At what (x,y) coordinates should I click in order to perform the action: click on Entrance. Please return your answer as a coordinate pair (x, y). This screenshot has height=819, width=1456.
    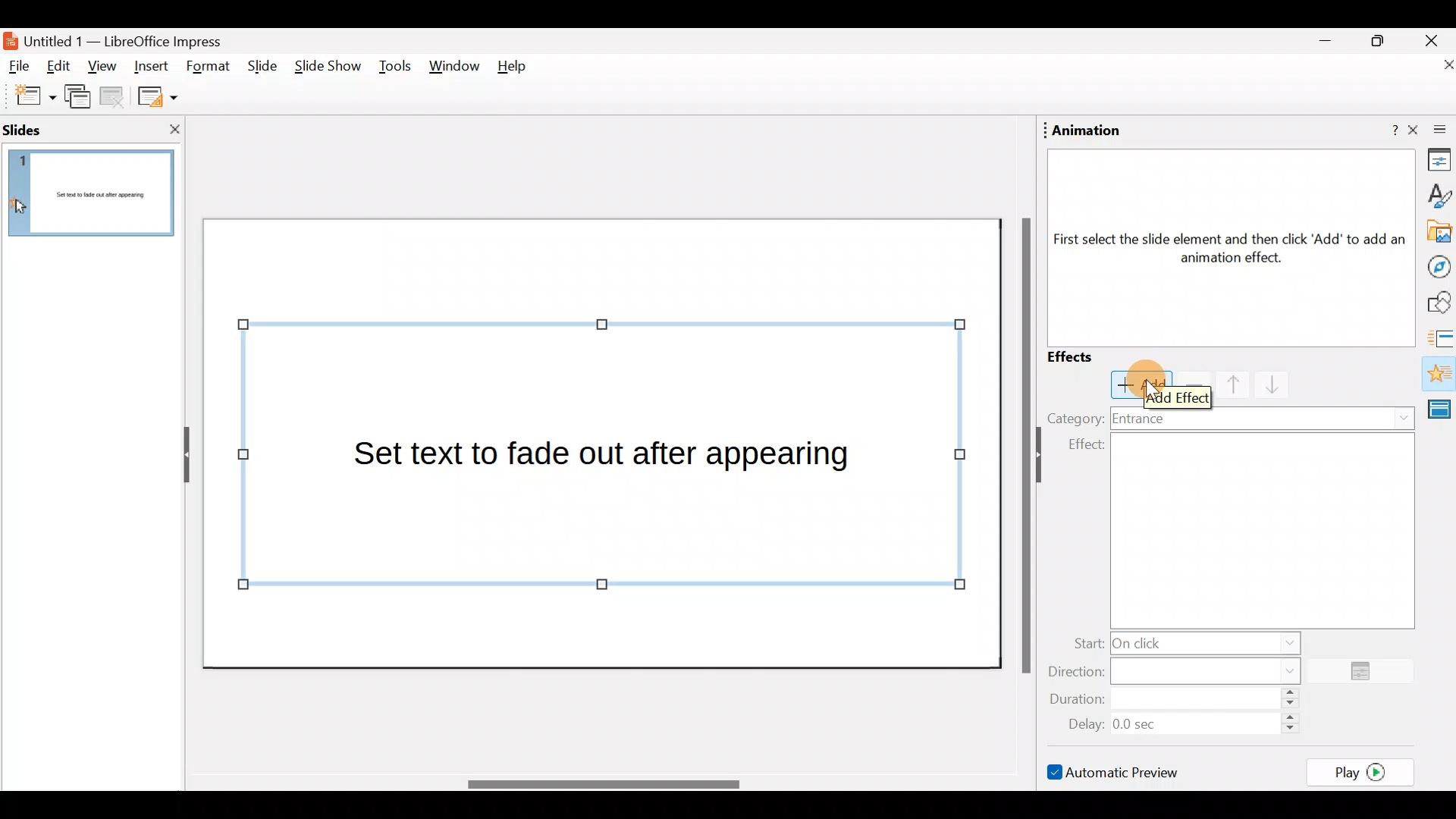
    Looking at the image, I should click on (1265, 417).